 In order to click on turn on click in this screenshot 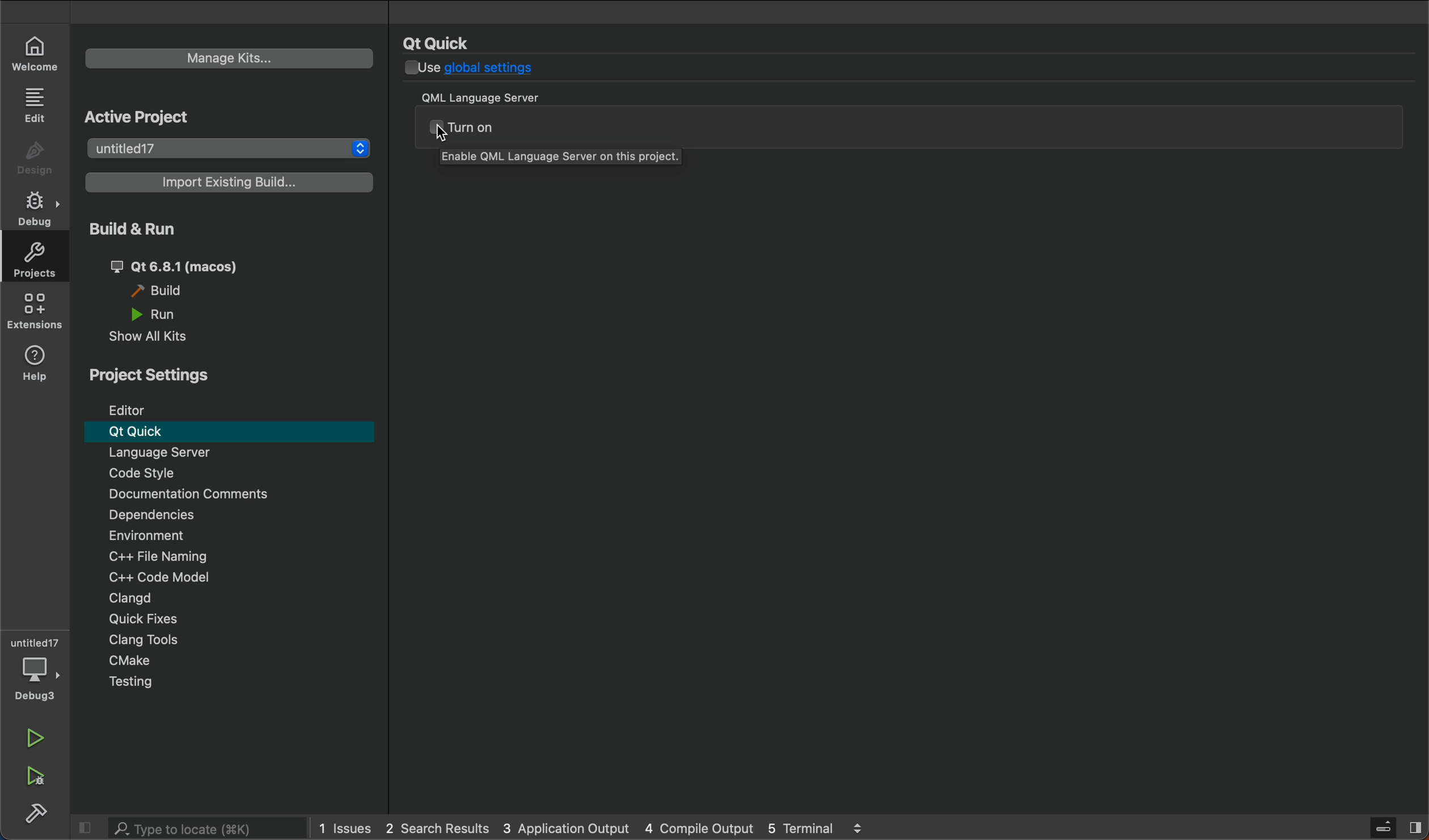, I will do `click(916, 126)`.